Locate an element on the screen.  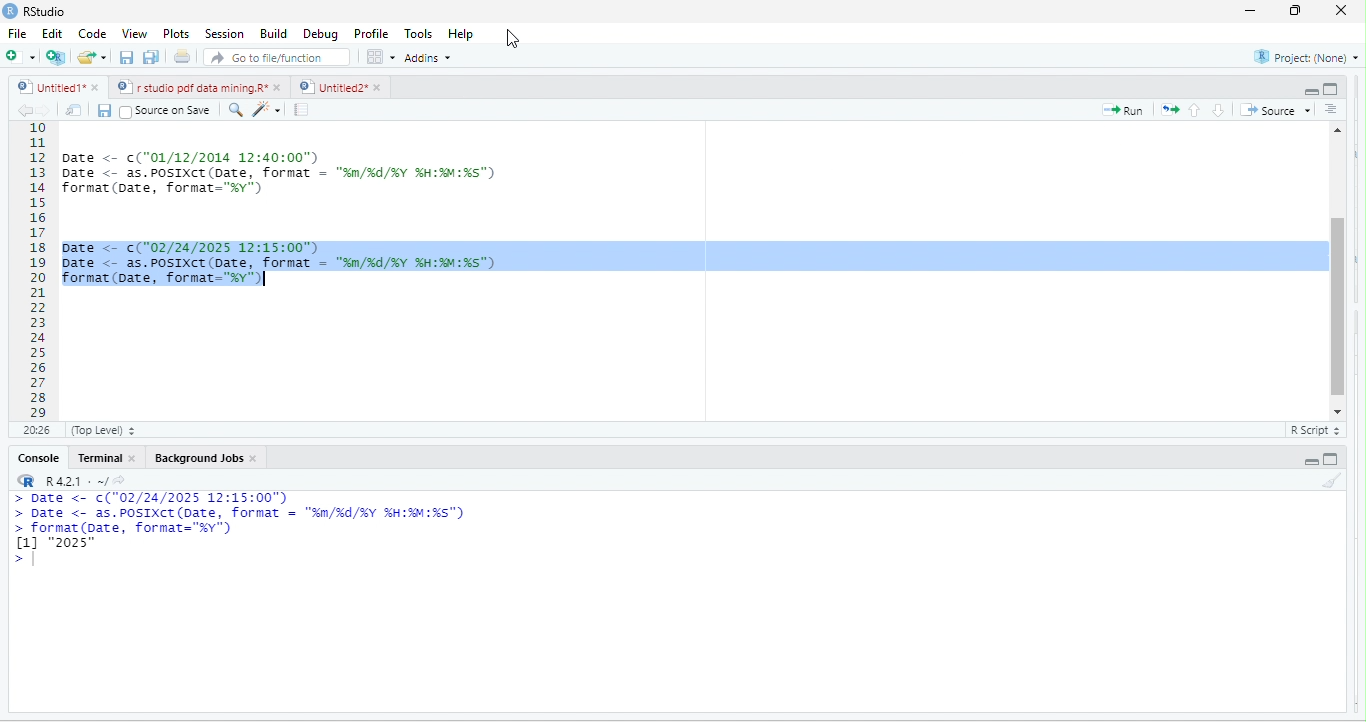
go to previous section/chunk is located at coordinates (1197, 109).